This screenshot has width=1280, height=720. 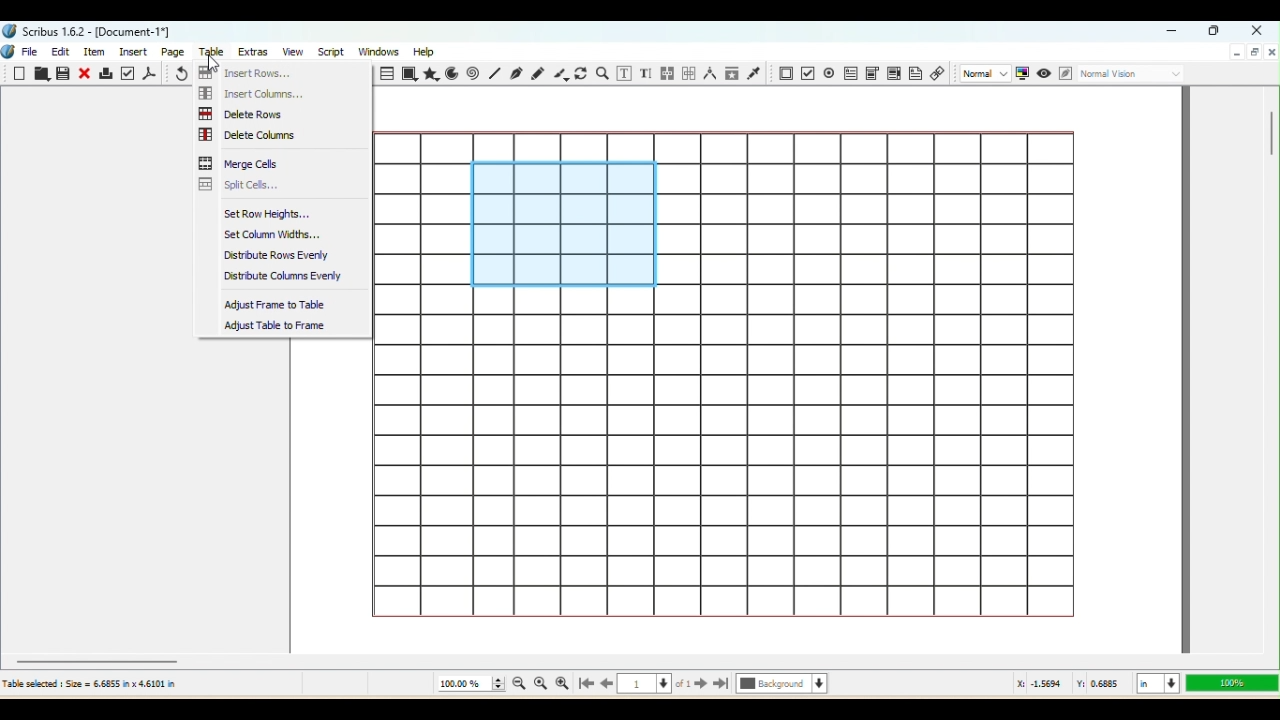 What do you see at coordinates (1043, 72) in the screenshot?
I see `Preview mode` at bounding box center [1043, 72].